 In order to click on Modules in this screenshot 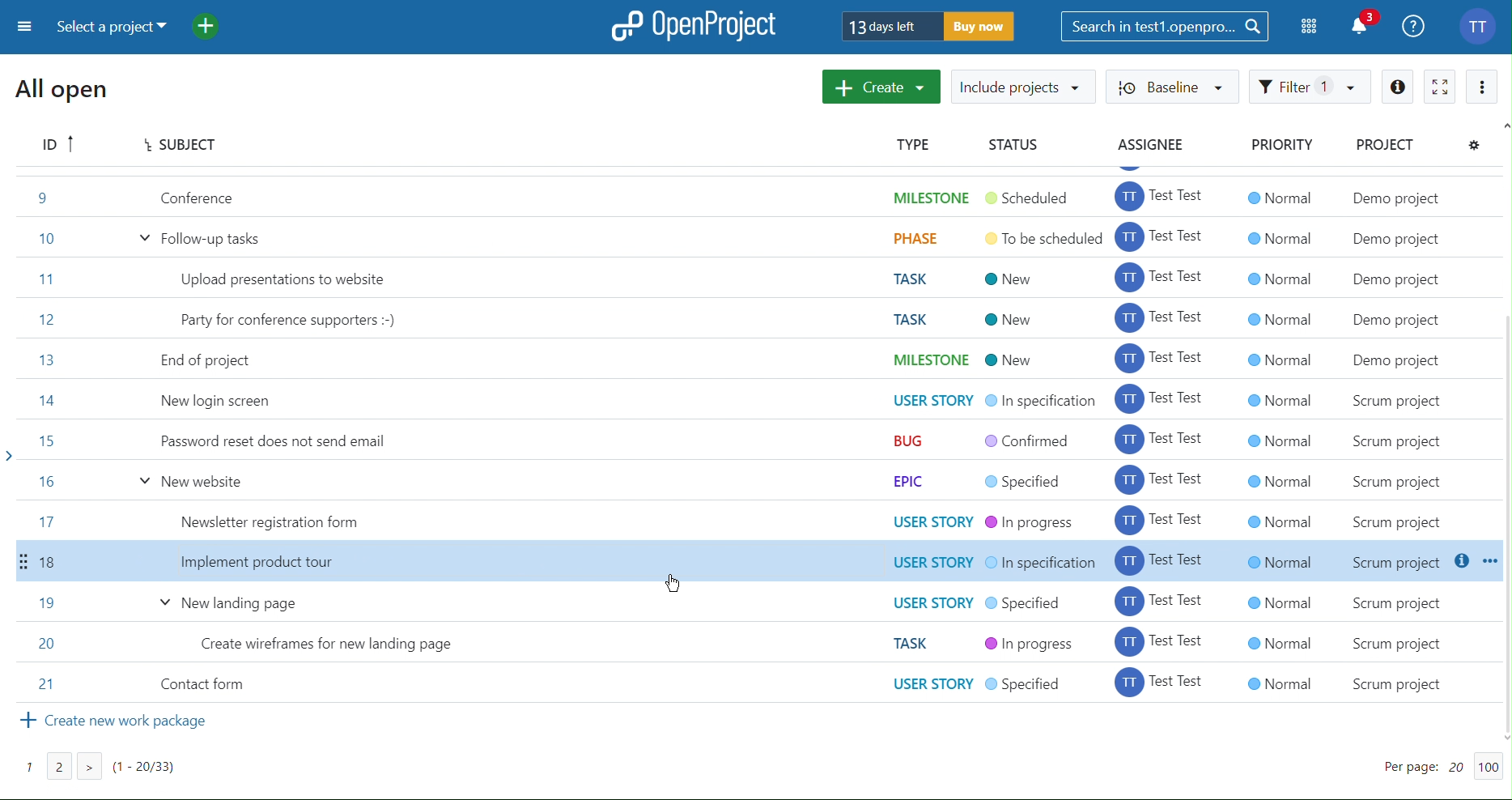, I will do `click(1310, 27)`.